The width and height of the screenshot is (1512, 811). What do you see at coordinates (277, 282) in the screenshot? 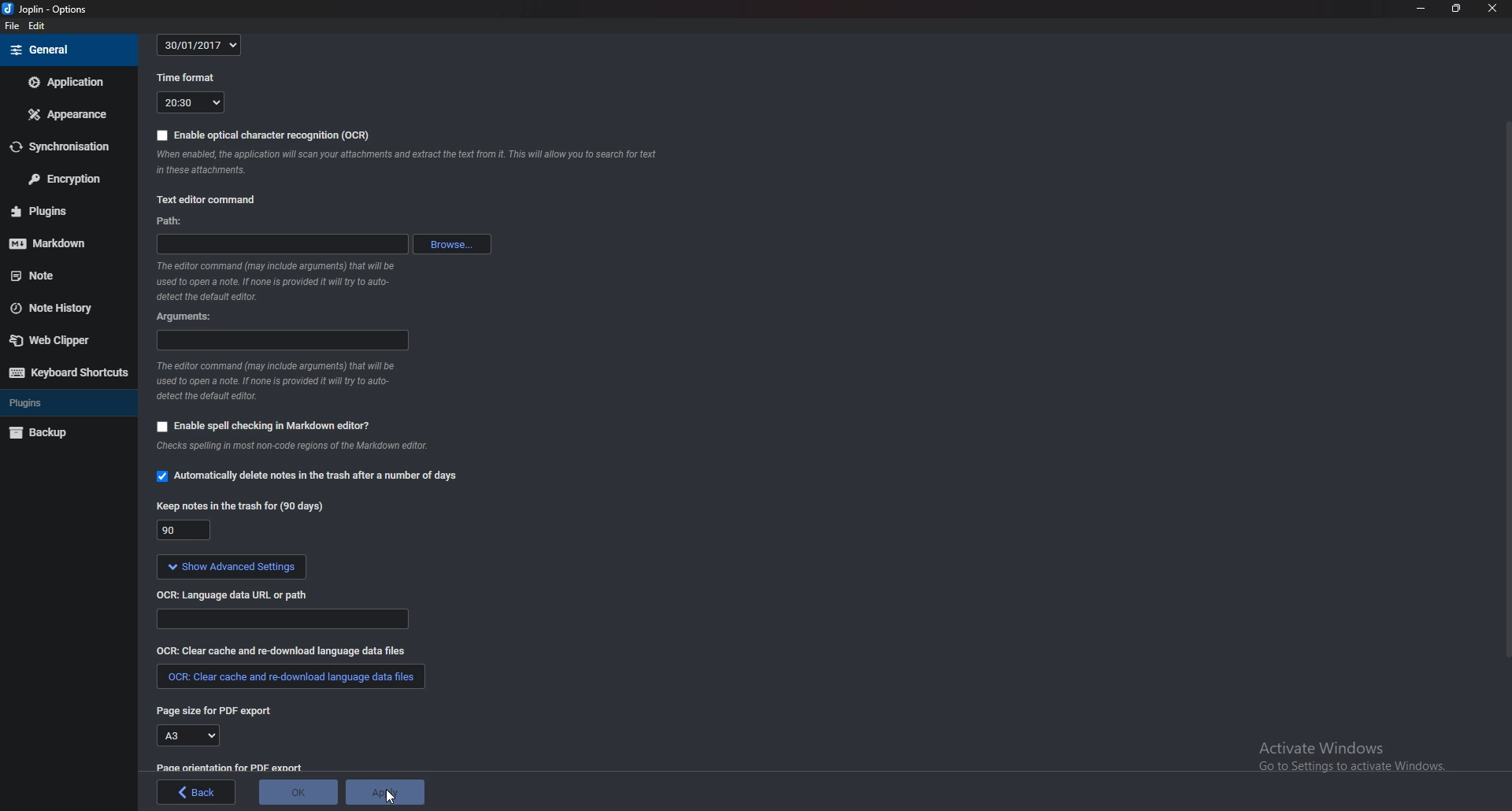
I see `info on editor command` at bounding box center [277, 282].